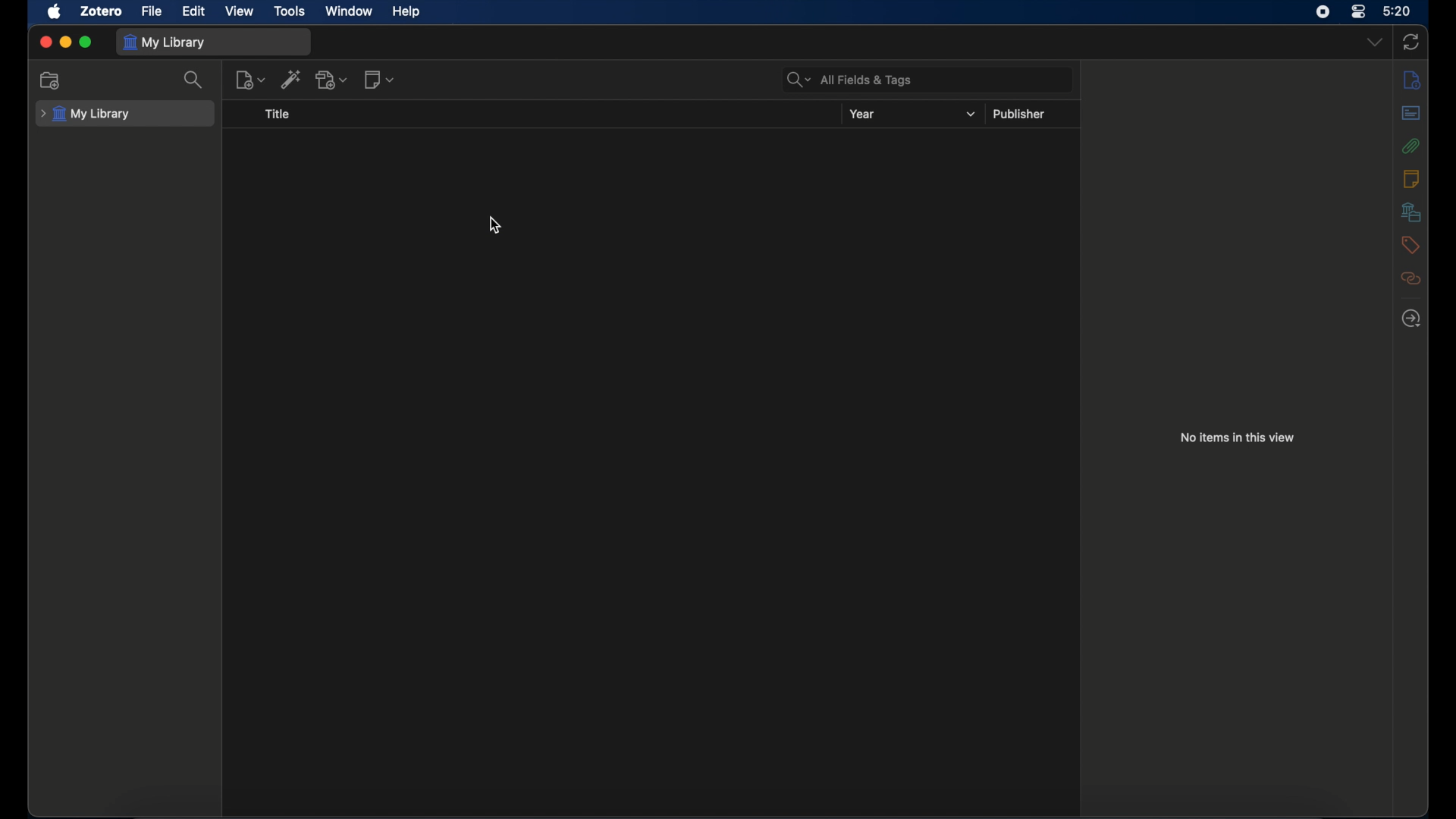 The image size is (1456, 819). I want to click on search bar, so click(849, 80).